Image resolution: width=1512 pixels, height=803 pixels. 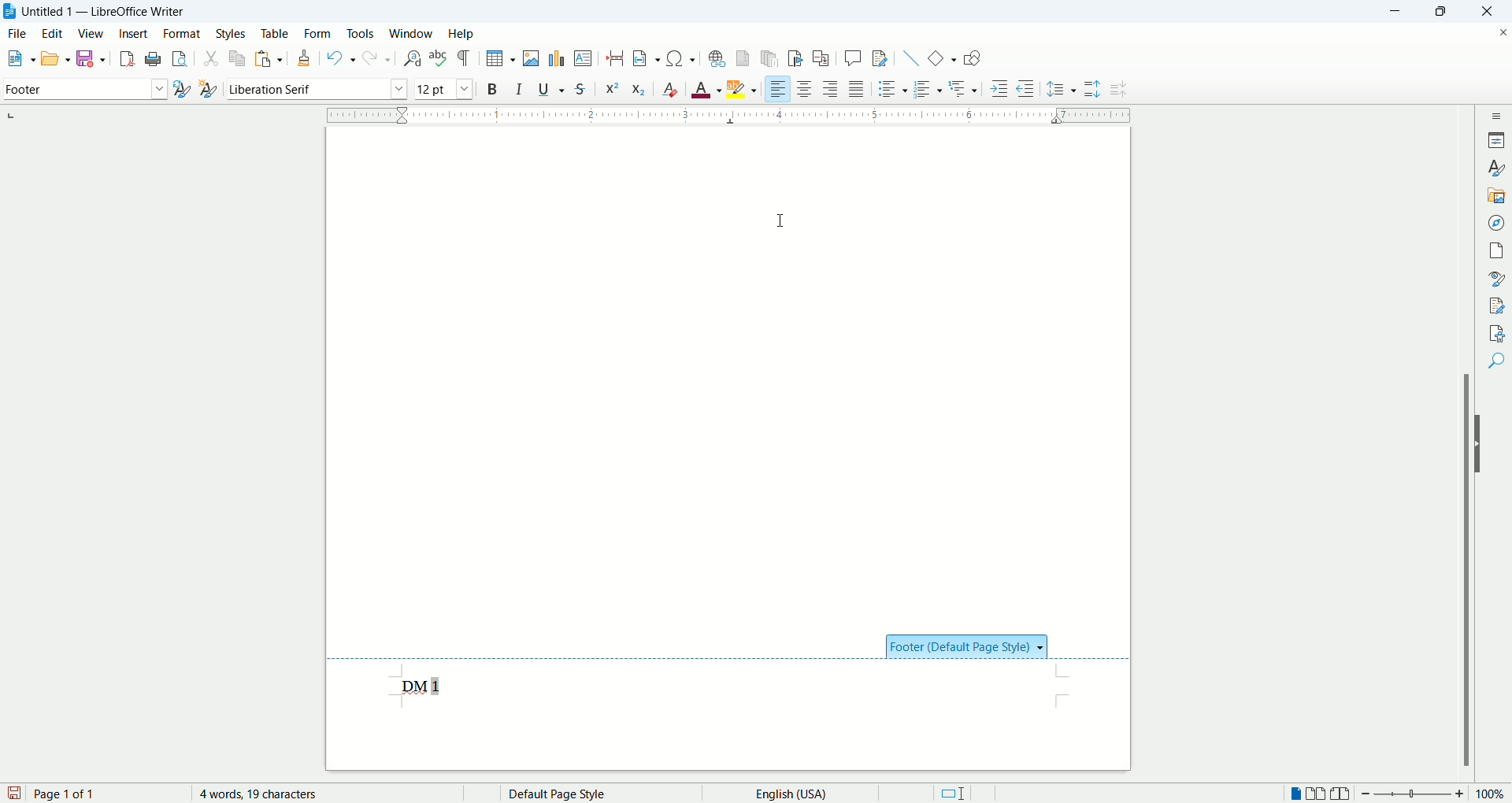 What do you see at coordinates (771, 58) in the screenshot?
I see `insert endnote` at bounding box center [771, 58].